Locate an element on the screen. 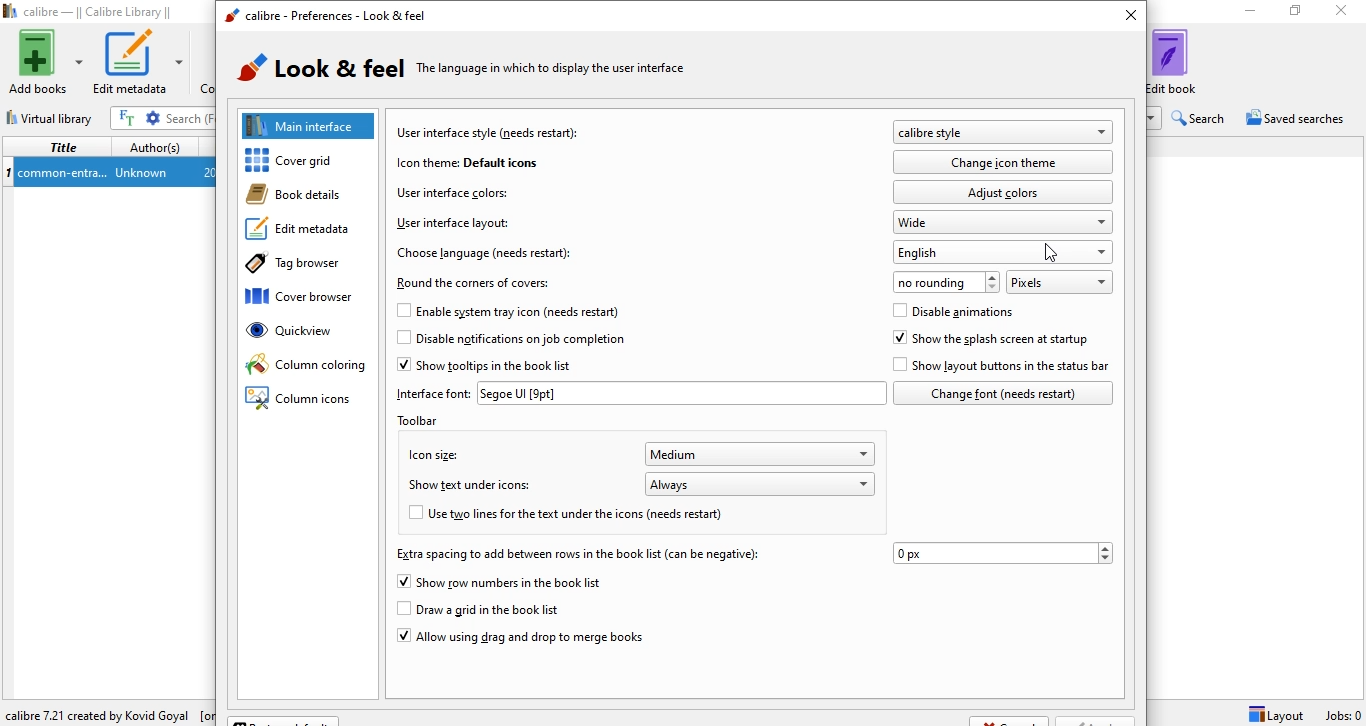 The width and height of the screenshot is (1366, 726). use two lines for the text under the icons (needs restart)) is located at coordinates (582, 516).